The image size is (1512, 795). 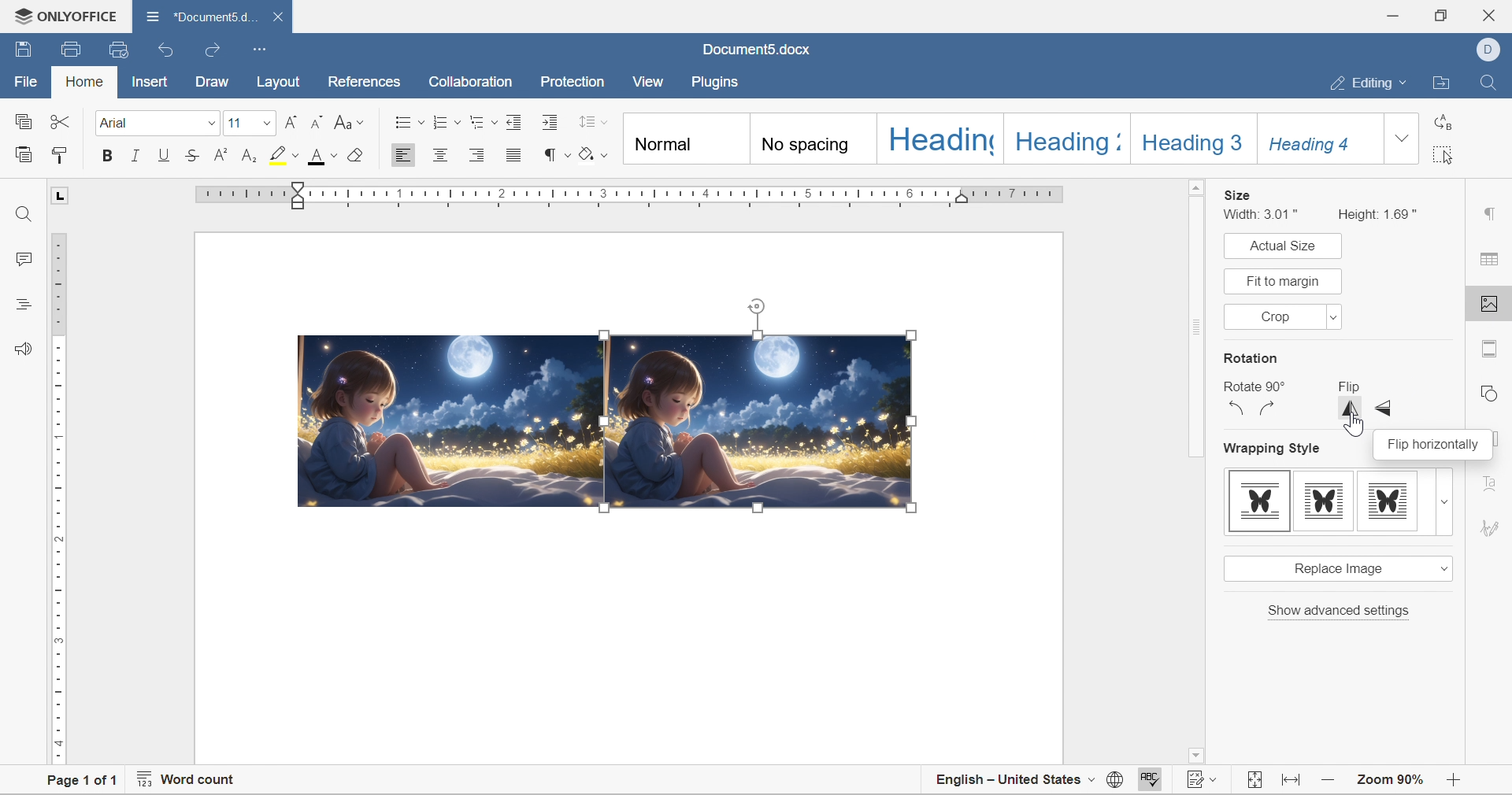 I want to click on cursor, so click(x=1354, y=427).